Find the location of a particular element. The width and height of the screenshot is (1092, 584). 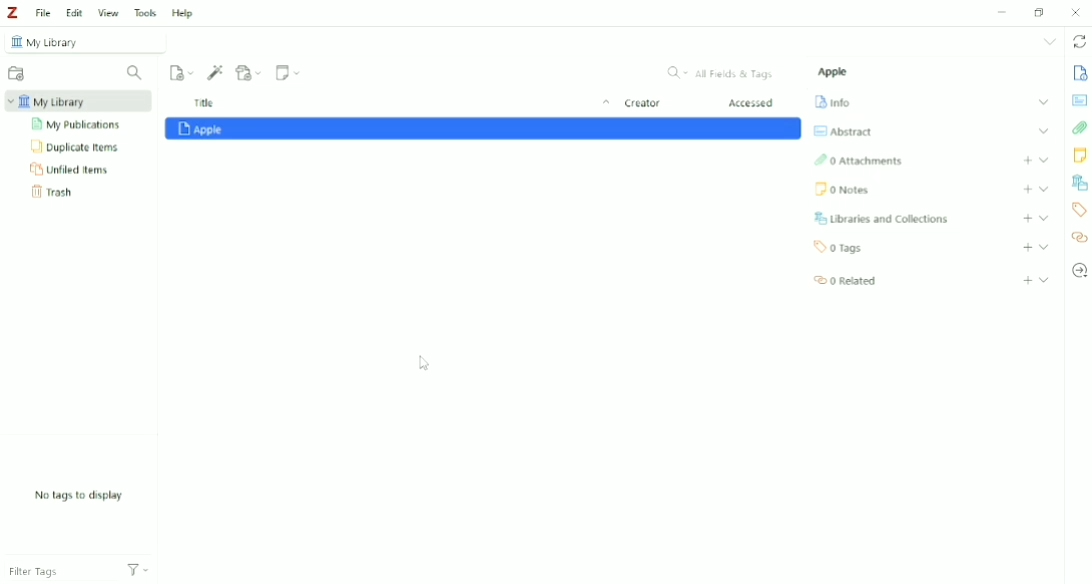

Add is located at coordinates (1028, 218).